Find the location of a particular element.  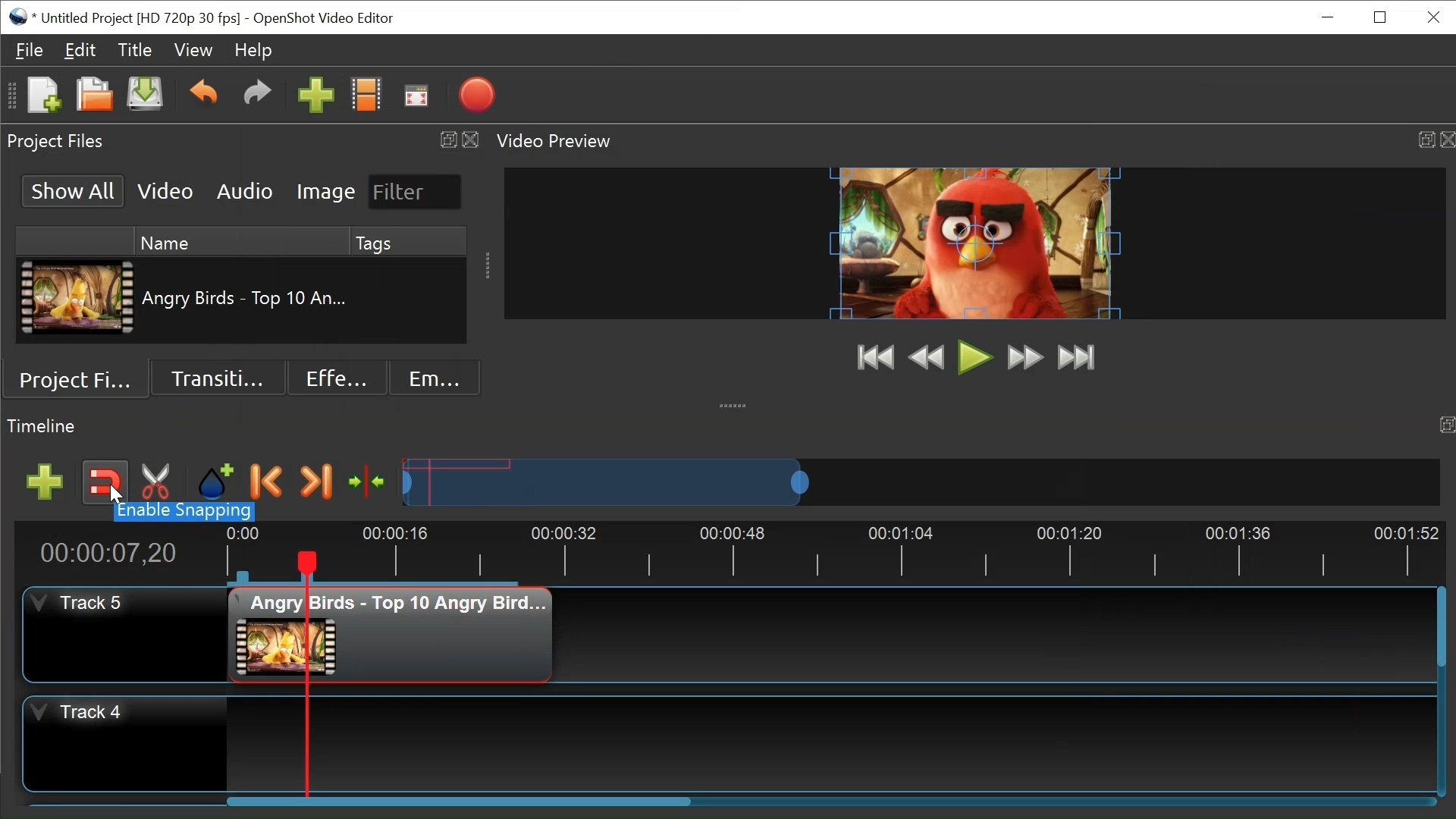

minimize is located at coordinates (1327, 17).